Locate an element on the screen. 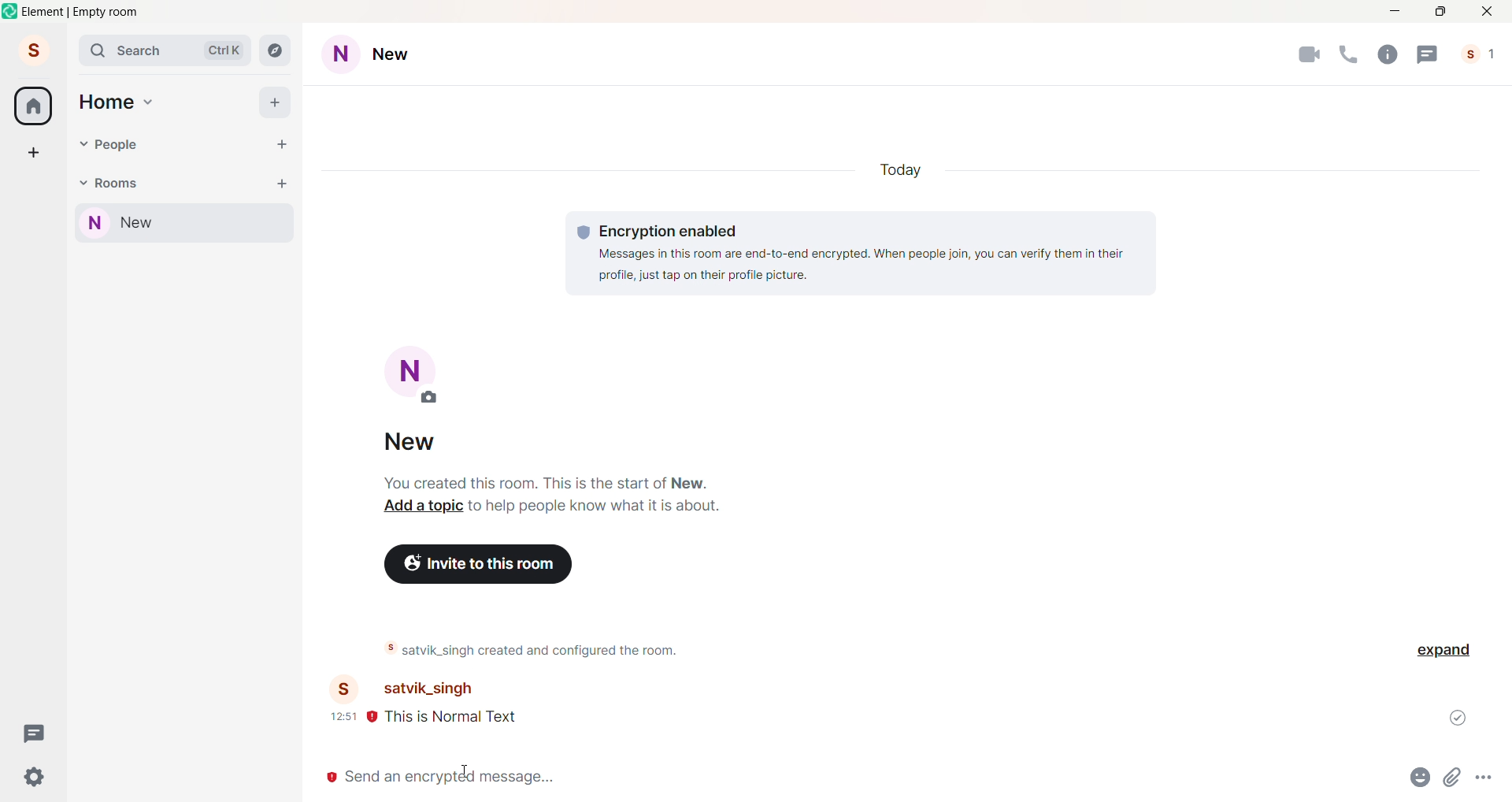 Image resolution: width=1512 pixels, height=802 pixels. Close is located at coordinates (1488, 11).